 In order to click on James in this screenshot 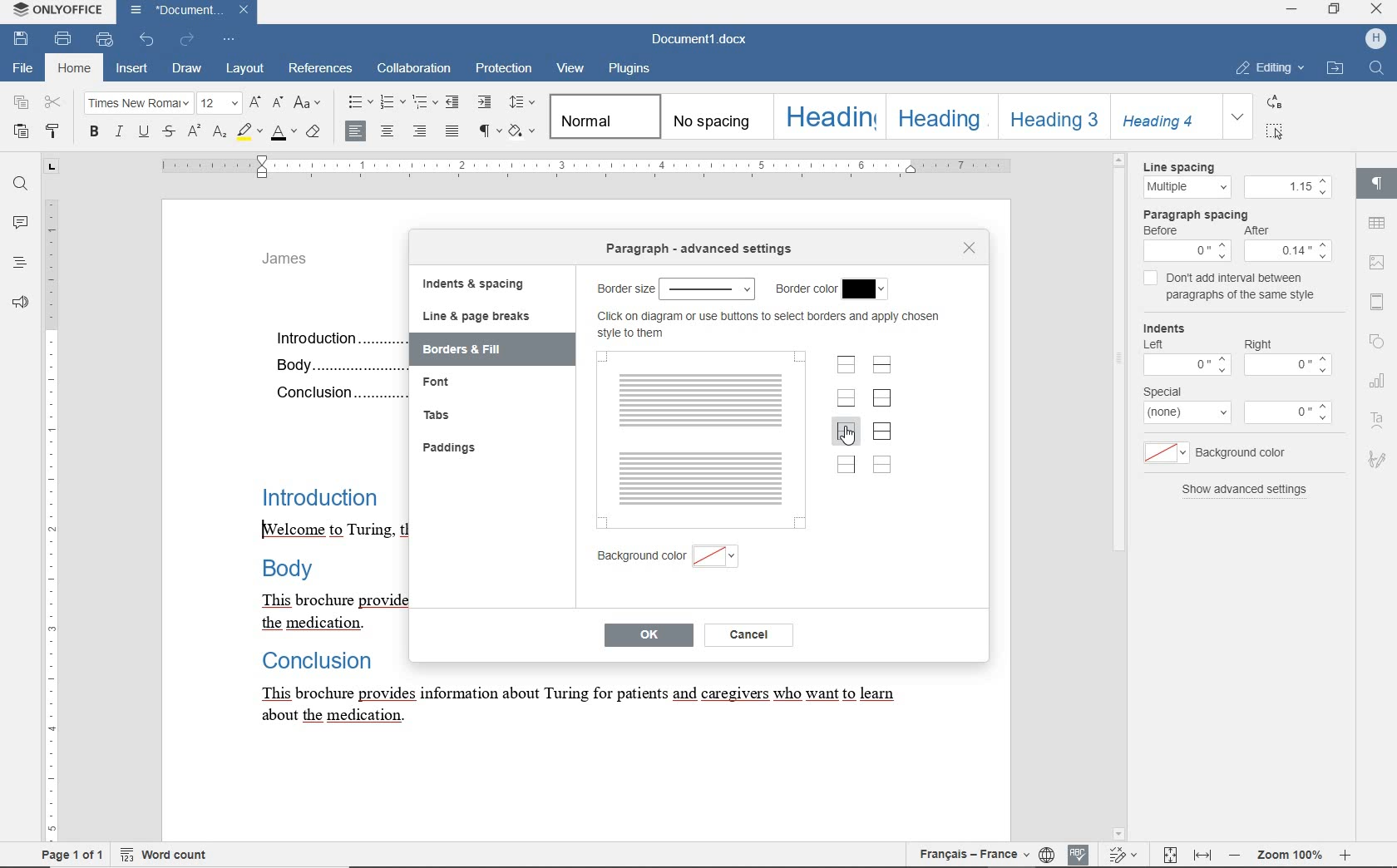, I will do `click(297, 263)`.